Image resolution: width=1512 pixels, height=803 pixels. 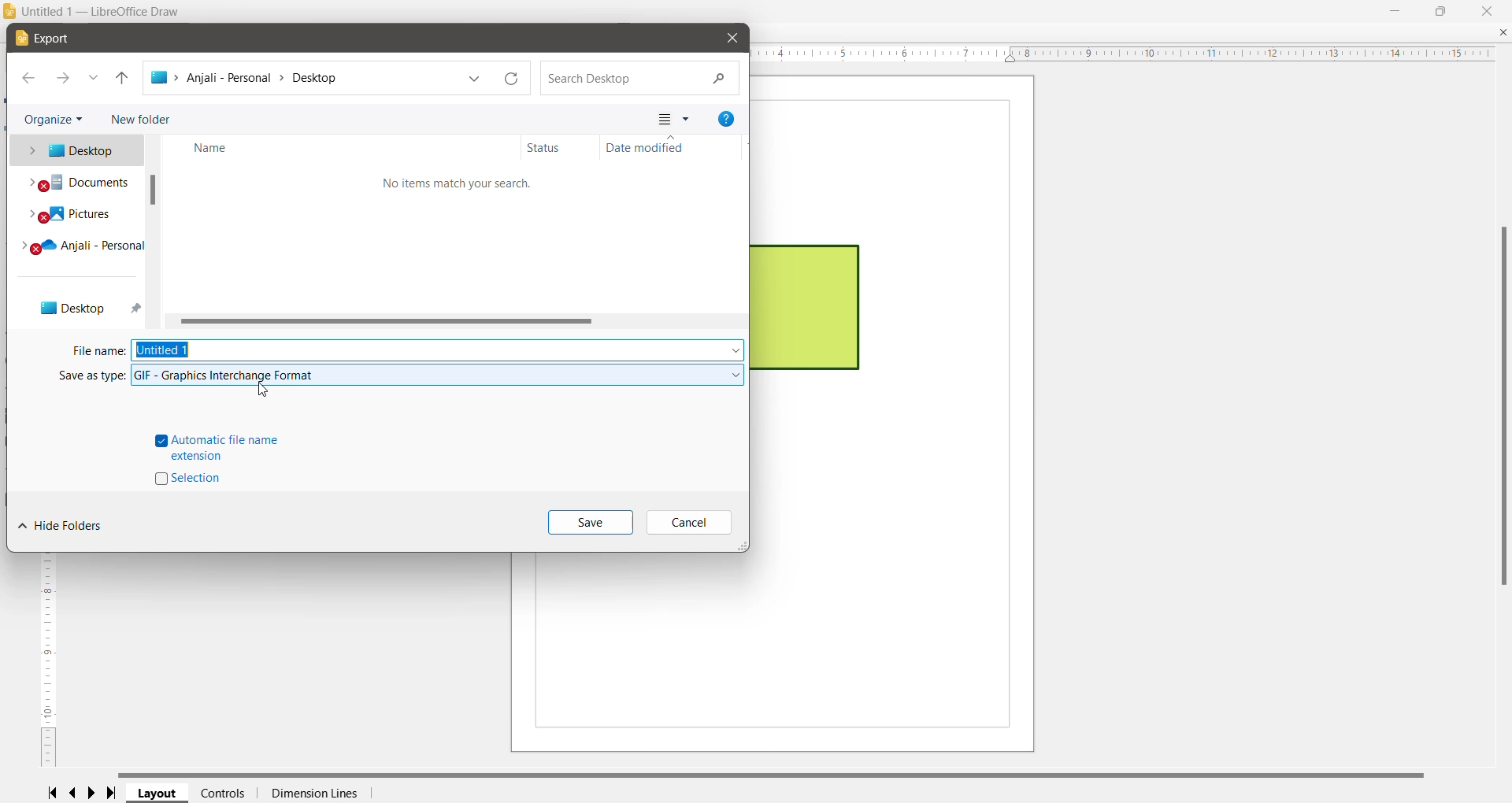 I want to click on Vertical Scroll Bar, so click(x=1501, y=405).